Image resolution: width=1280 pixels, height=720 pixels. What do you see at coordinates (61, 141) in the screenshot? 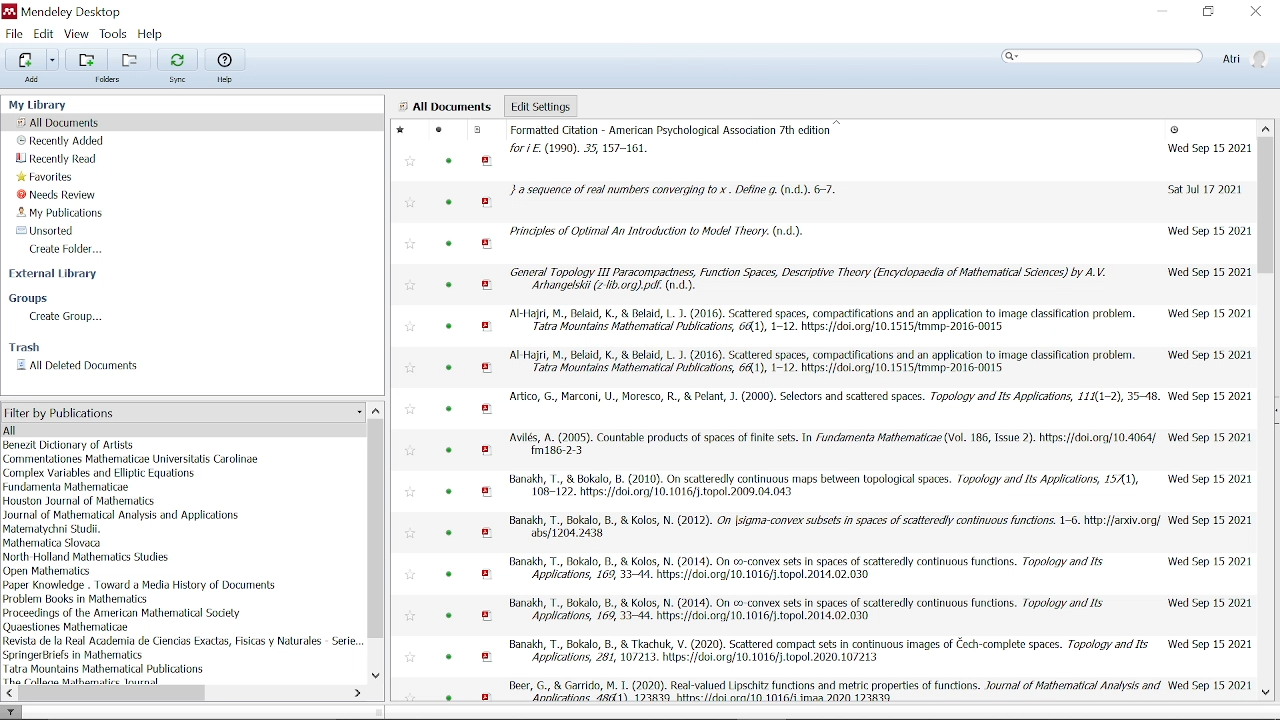
I see `Recently Added` at bounding box center [61, 141].